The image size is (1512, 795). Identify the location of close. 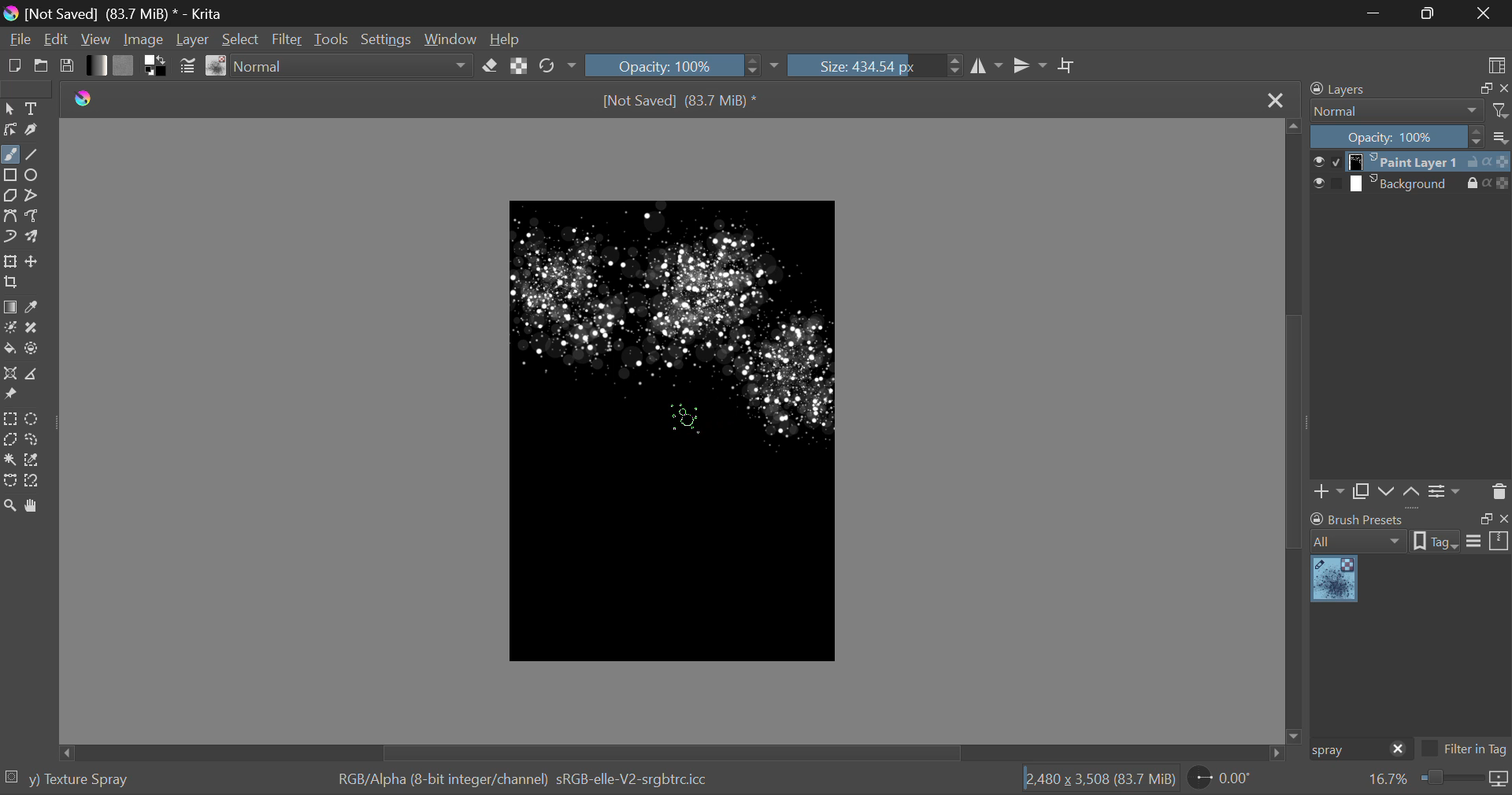
(1399, 750).